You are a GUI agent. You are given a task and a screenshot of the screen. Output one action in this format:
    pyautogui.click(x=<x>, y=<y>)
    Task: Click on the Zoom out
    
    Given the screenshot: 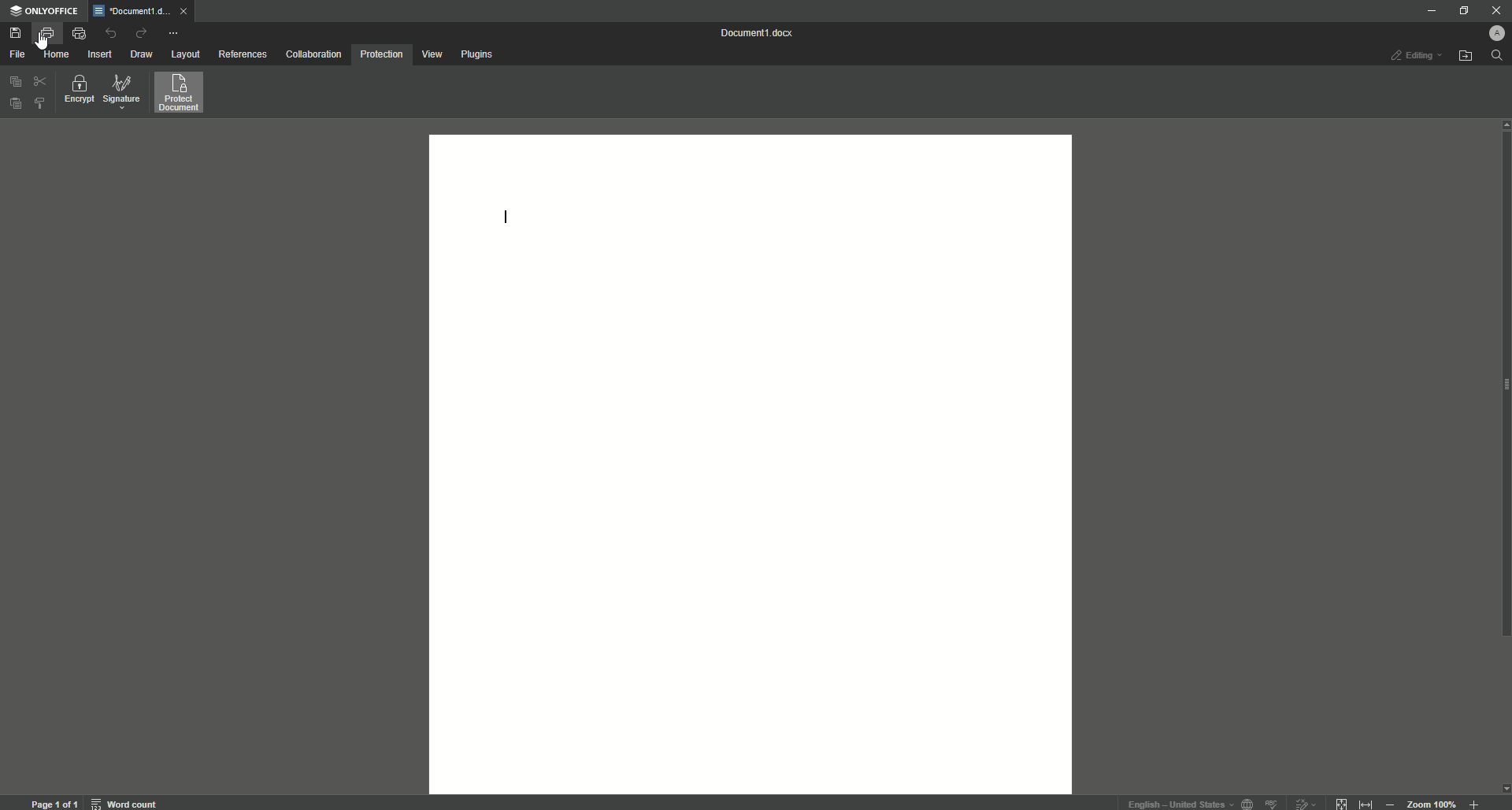 What is the action you would take?
    pyautogui.click(x=1390, y=803)
    